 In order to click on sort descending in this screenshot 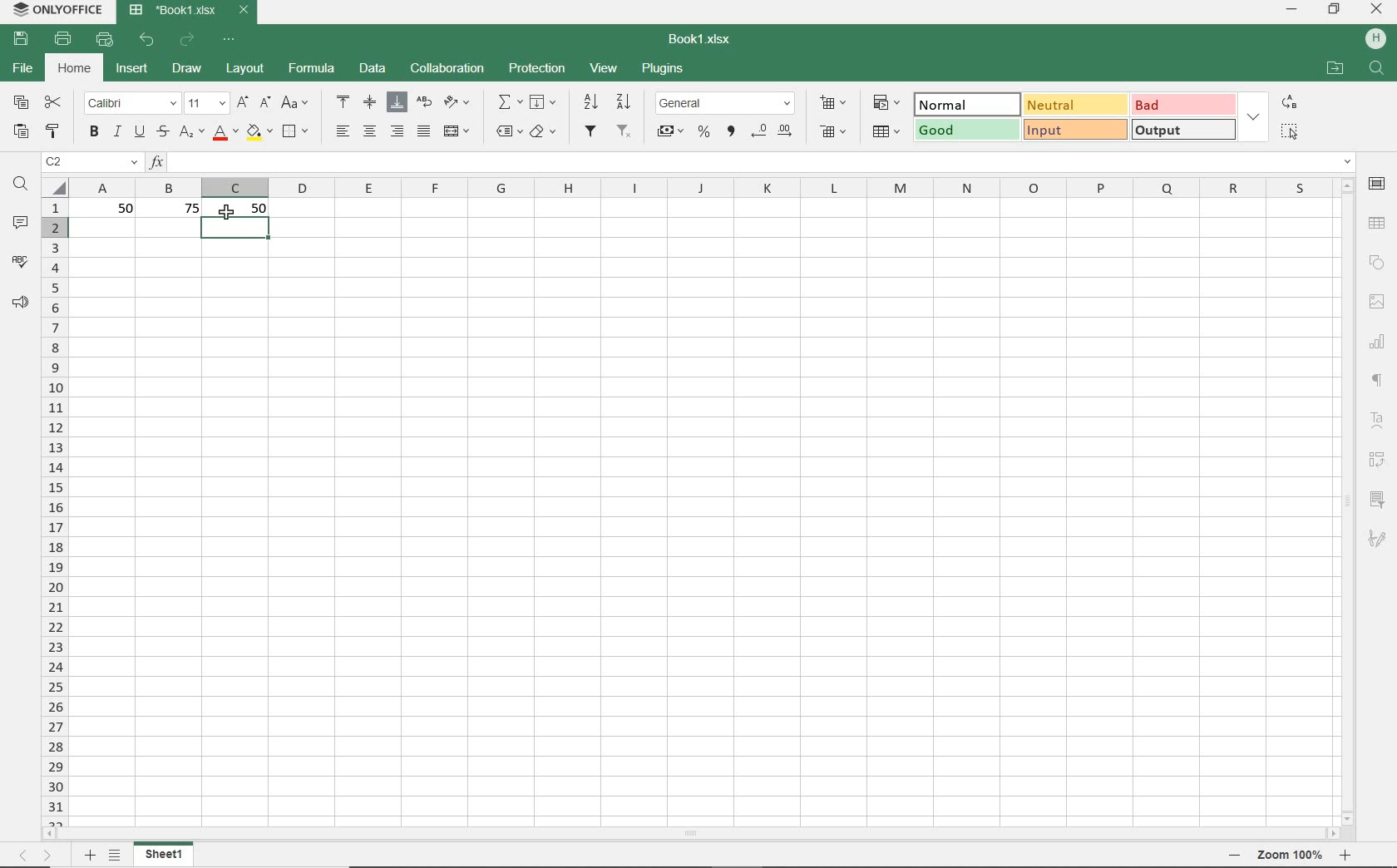, I will do `click(624, 101)`.